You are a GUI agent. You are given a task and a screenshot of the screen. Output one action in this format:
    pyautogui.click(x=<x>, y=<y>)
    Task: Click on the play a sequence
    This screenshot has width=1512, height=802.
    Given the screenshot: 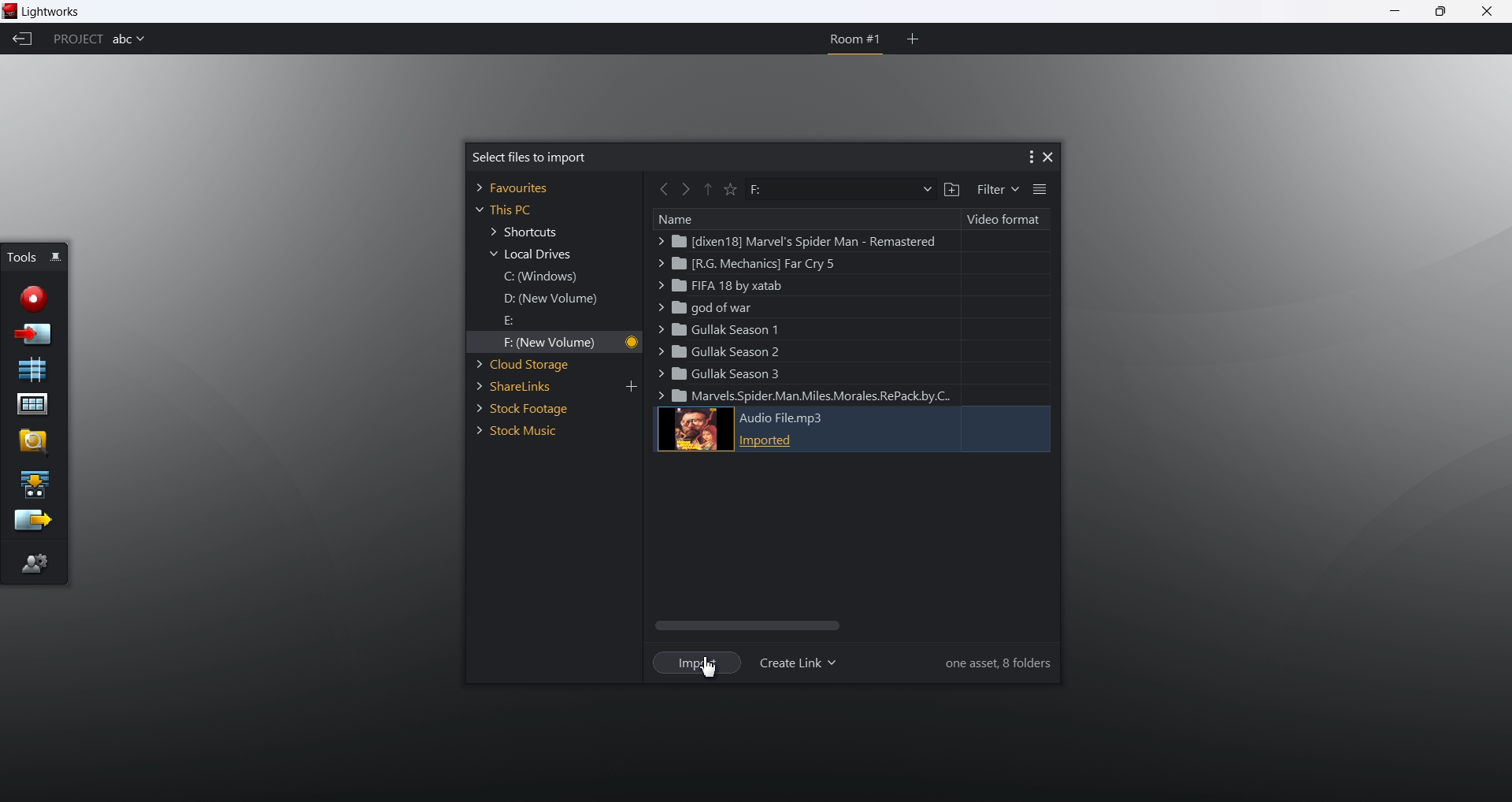 What is the action you would take?
    pyautogui.click(x=34, y=483)
    